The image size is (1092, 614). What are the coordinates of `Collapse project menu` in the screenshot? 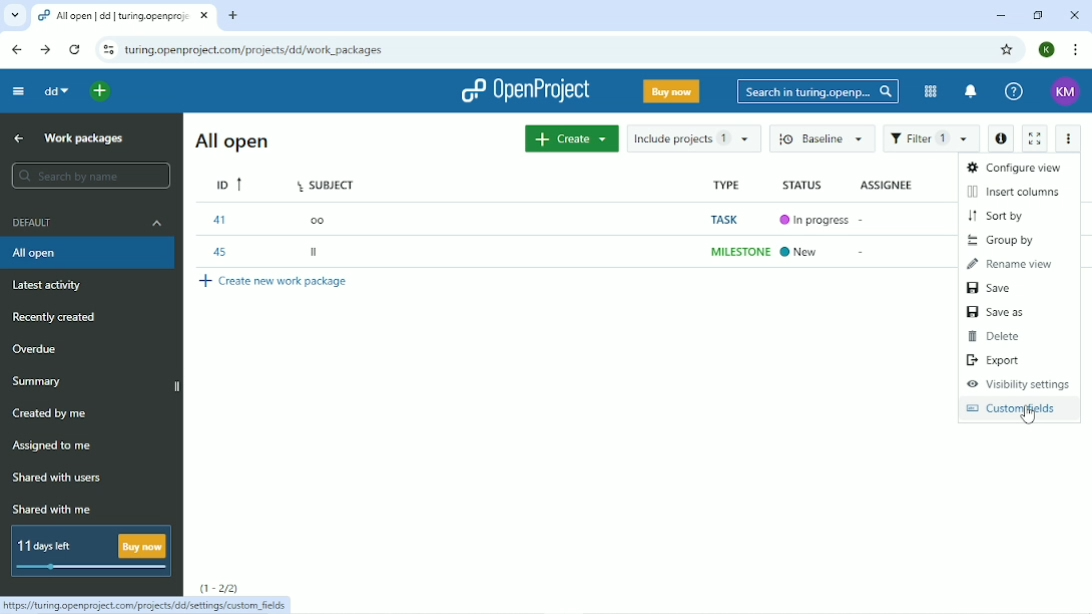 It's located at (18, 91).